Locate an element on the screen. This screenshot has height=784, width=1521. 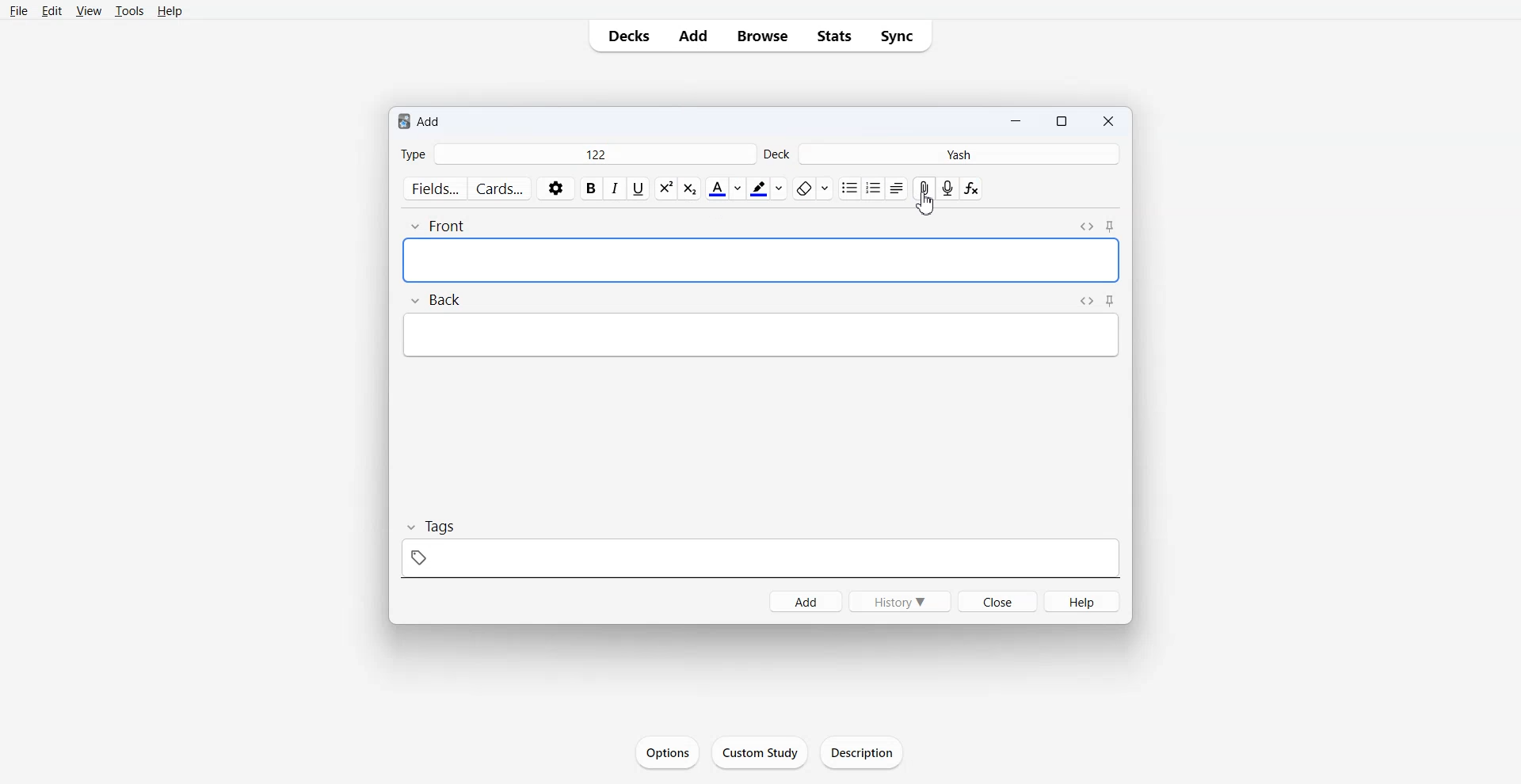
Toggle sticky is located at coordinates (1111, 228).